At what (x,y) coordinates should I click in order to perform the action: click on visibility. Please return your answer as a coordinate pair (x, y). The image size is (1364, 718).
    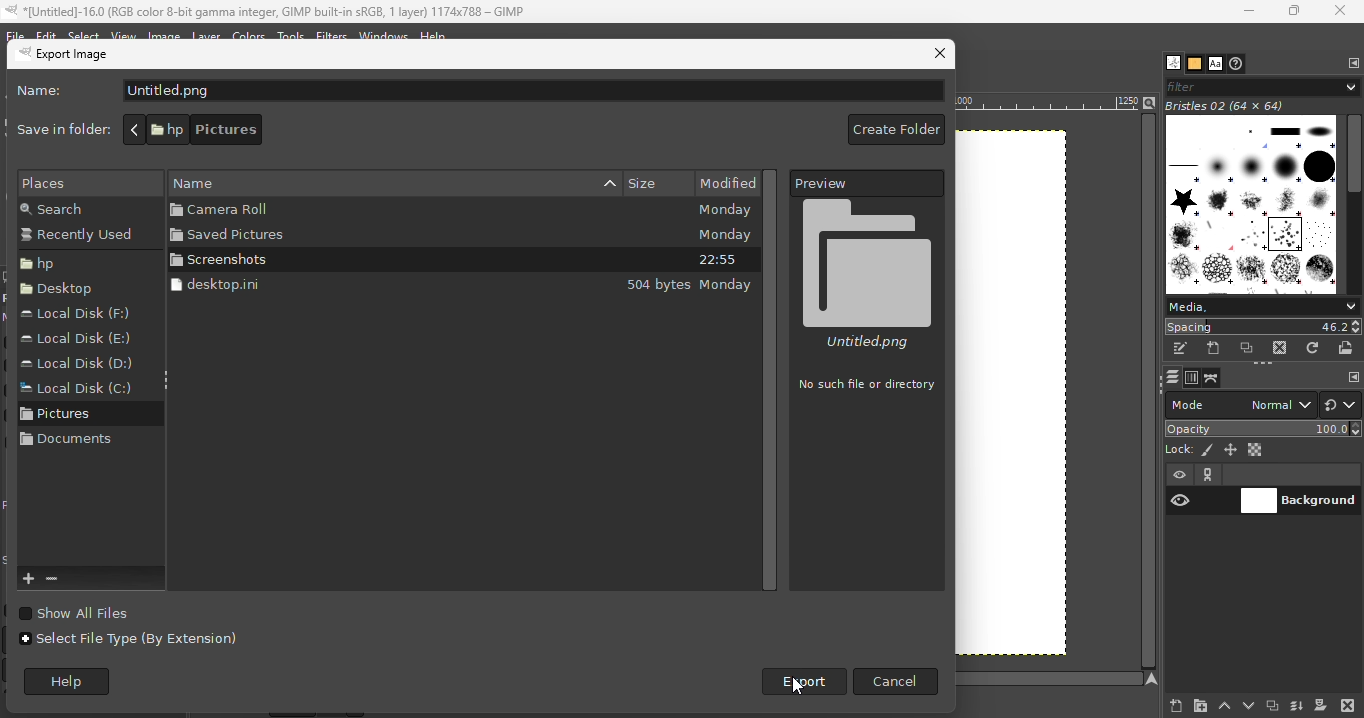
    Looking at the image, I should click on (1180, 501).